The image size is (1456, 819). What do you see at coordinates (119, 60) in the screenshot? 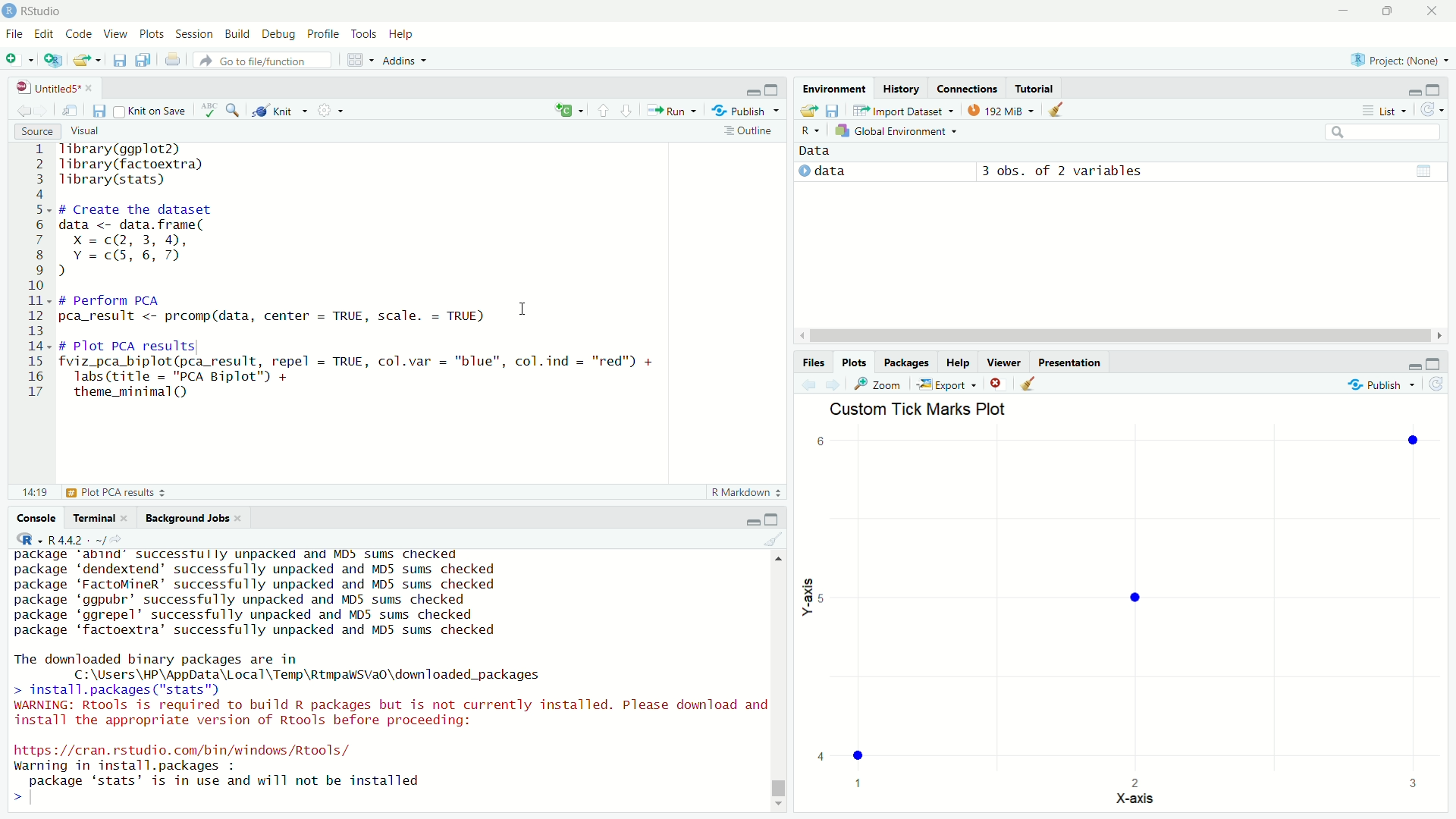
I see `save current document` at bounding box center [119, 60].